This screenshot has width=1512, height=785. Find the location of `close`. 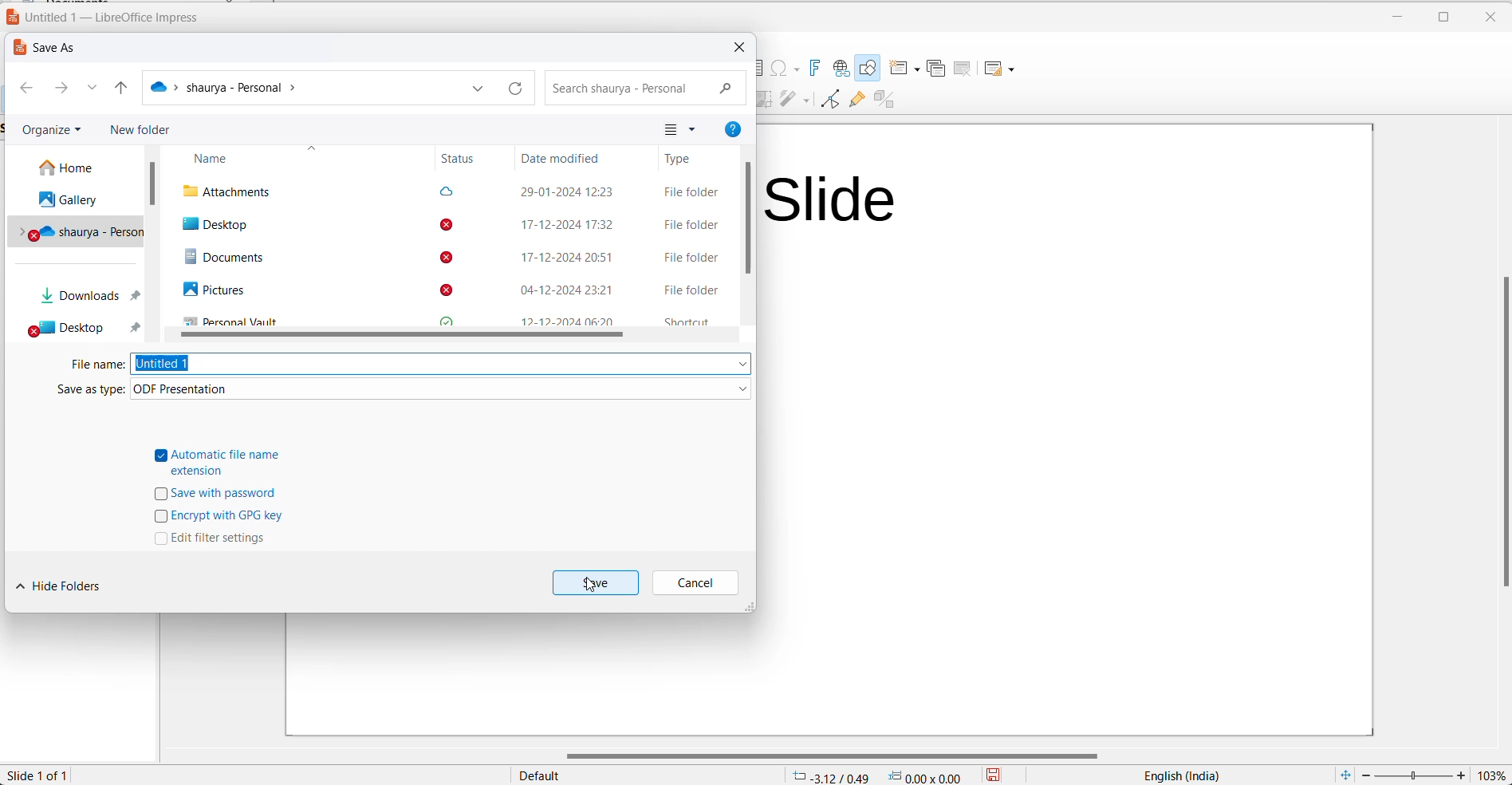

close is located at coordinates (744, 49).